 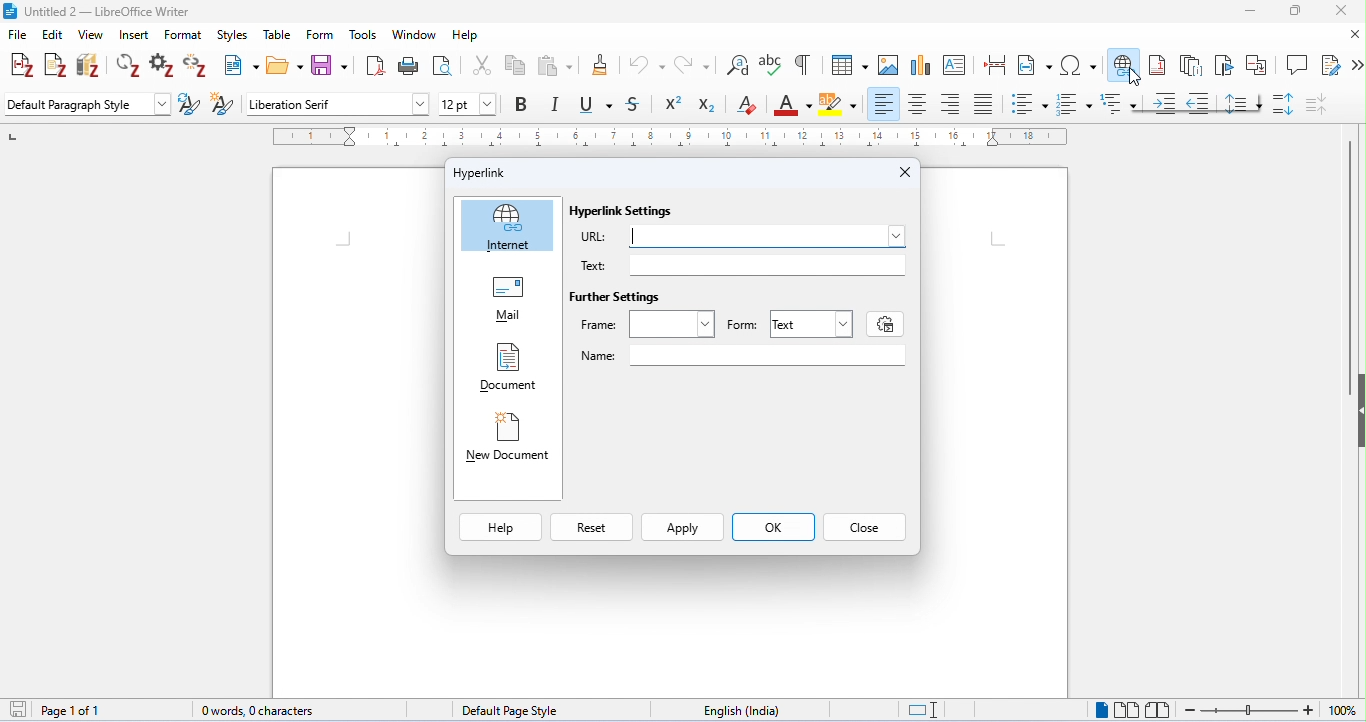 What do you see at coordinates (275, 33) in the screenshot?
I see `table` at bounding box center [275, 33].